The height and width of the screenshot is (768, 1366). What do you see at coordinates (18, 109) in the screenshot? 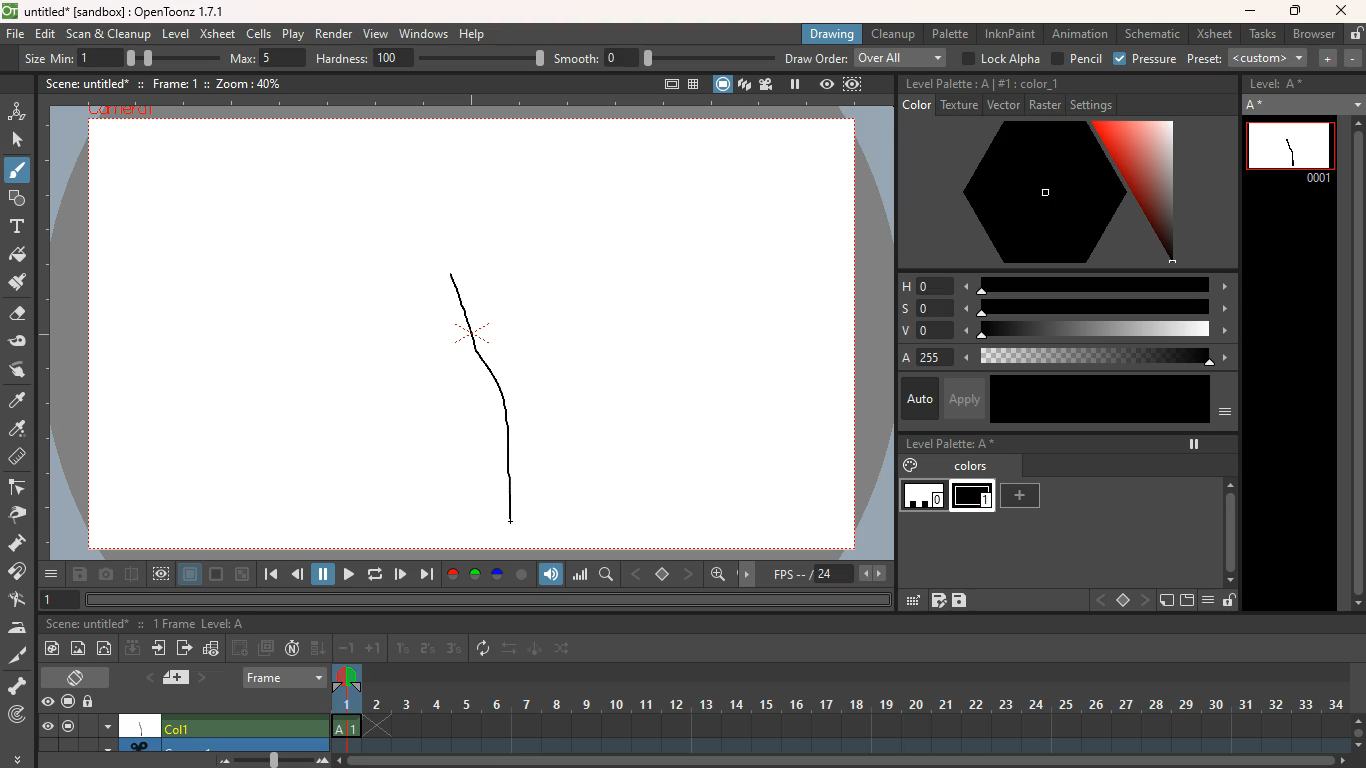
I see `animation` at bounding box center [18, 109].